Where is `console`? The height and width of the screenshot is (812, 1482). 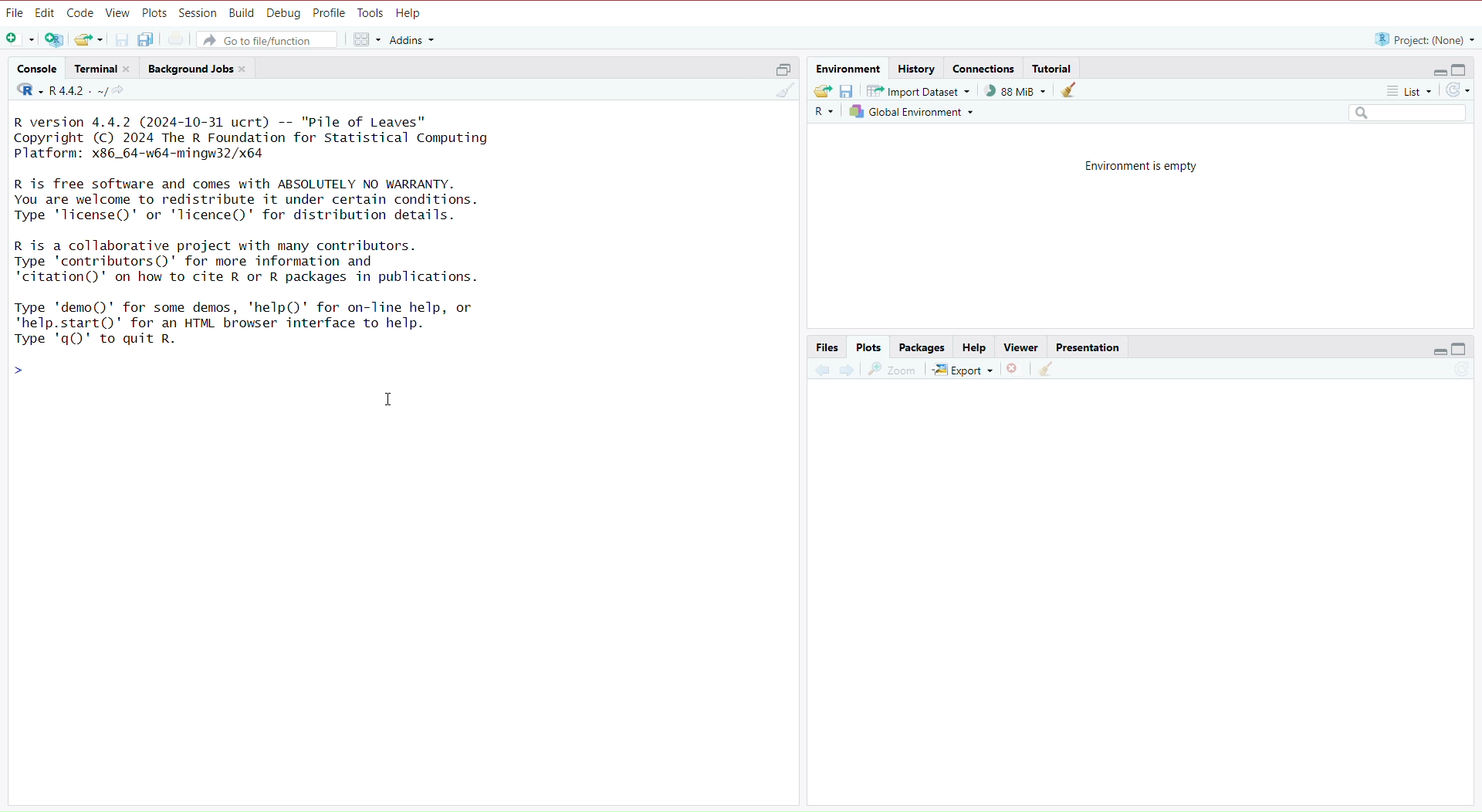
console is located at coordinates (36, 69).